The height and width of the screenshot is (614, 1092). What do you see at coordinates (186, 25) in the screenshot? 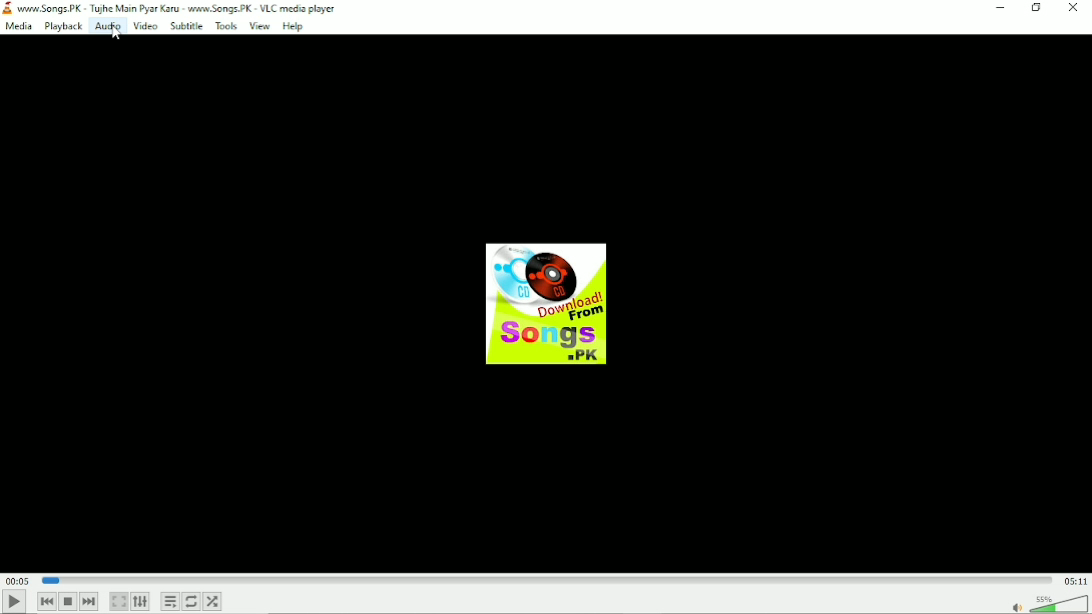
I see `Subtitle` at bounding box center [186, 25].